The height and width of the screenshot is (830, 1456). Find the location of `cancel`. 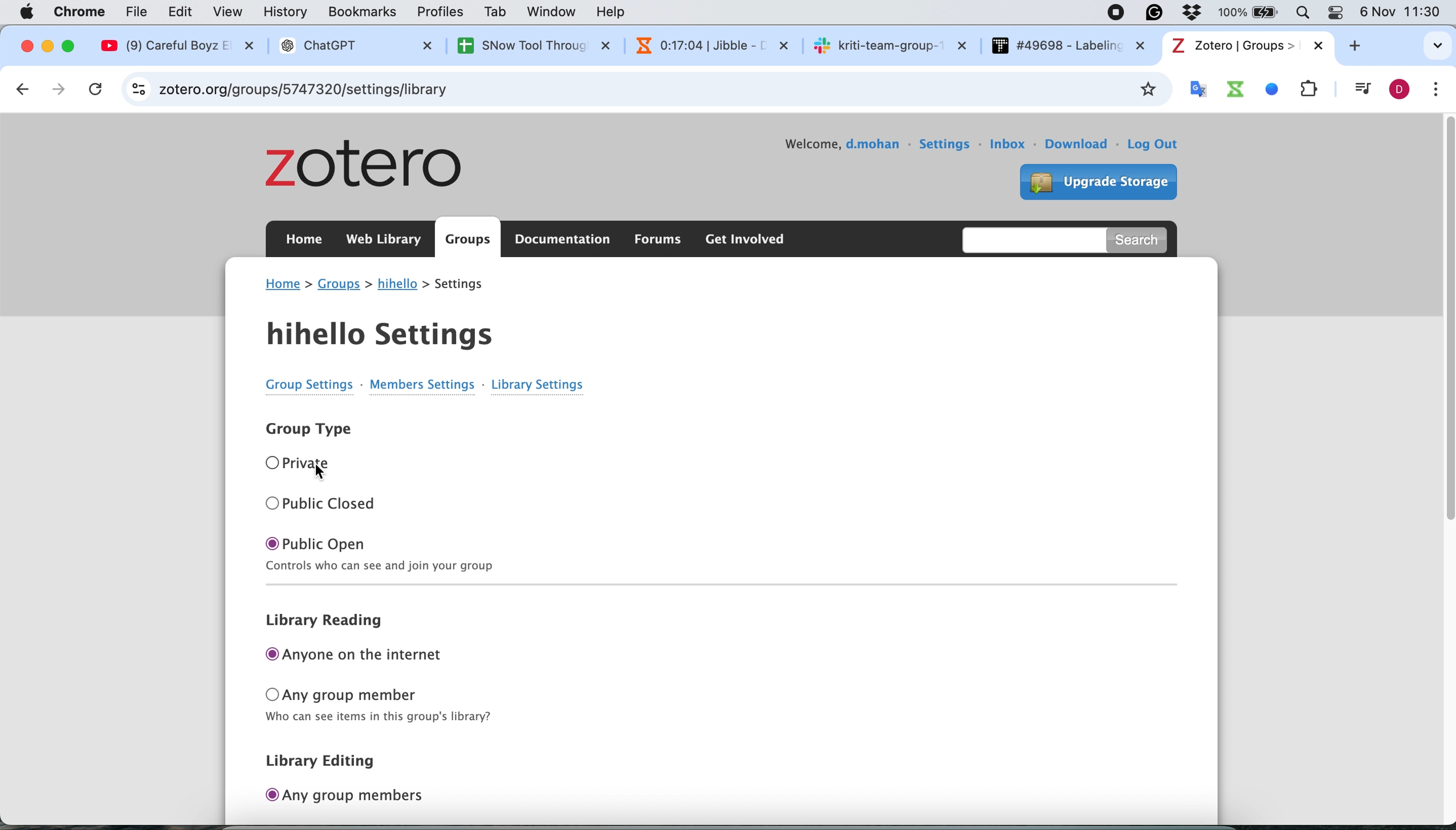

cancel is located at coordinates (99, 89).